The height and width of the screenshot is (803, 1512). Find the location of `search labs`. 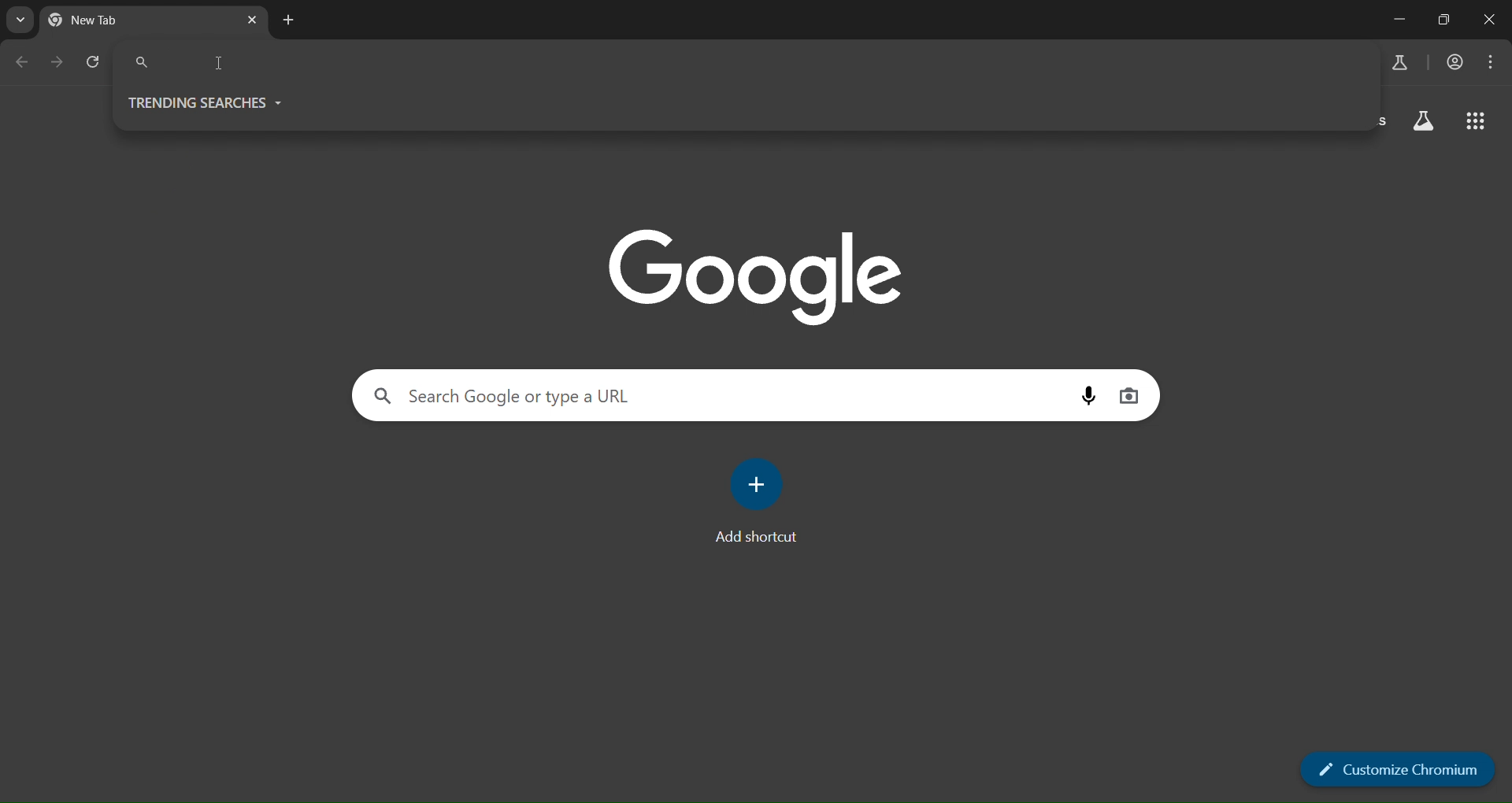

search labs is located at coordinates (1397, 64).